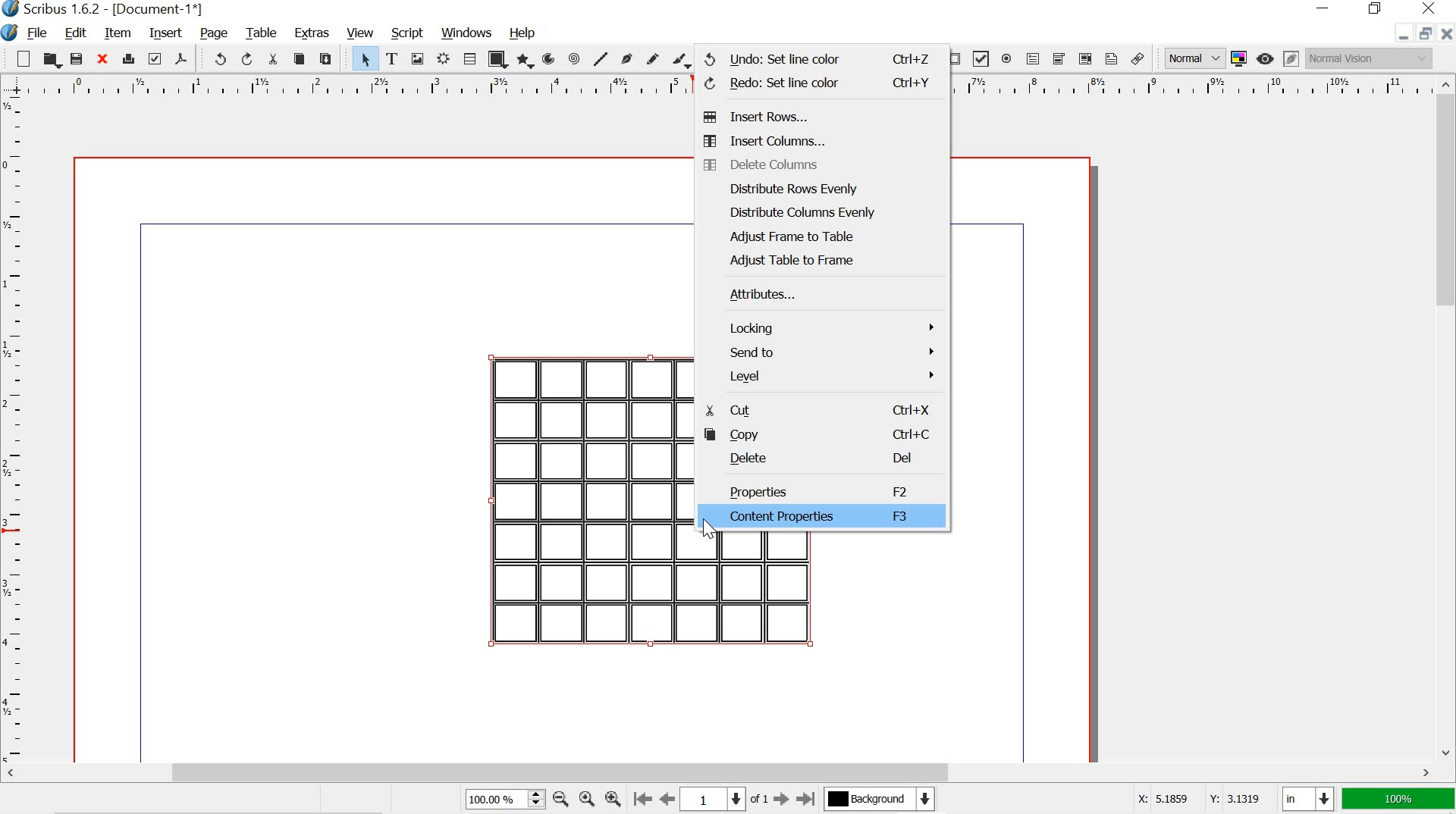 This screenshot has width=1456, height=814. Describe the element at coordinates (365, 60) in the screenshot. I see `select item` at that location.